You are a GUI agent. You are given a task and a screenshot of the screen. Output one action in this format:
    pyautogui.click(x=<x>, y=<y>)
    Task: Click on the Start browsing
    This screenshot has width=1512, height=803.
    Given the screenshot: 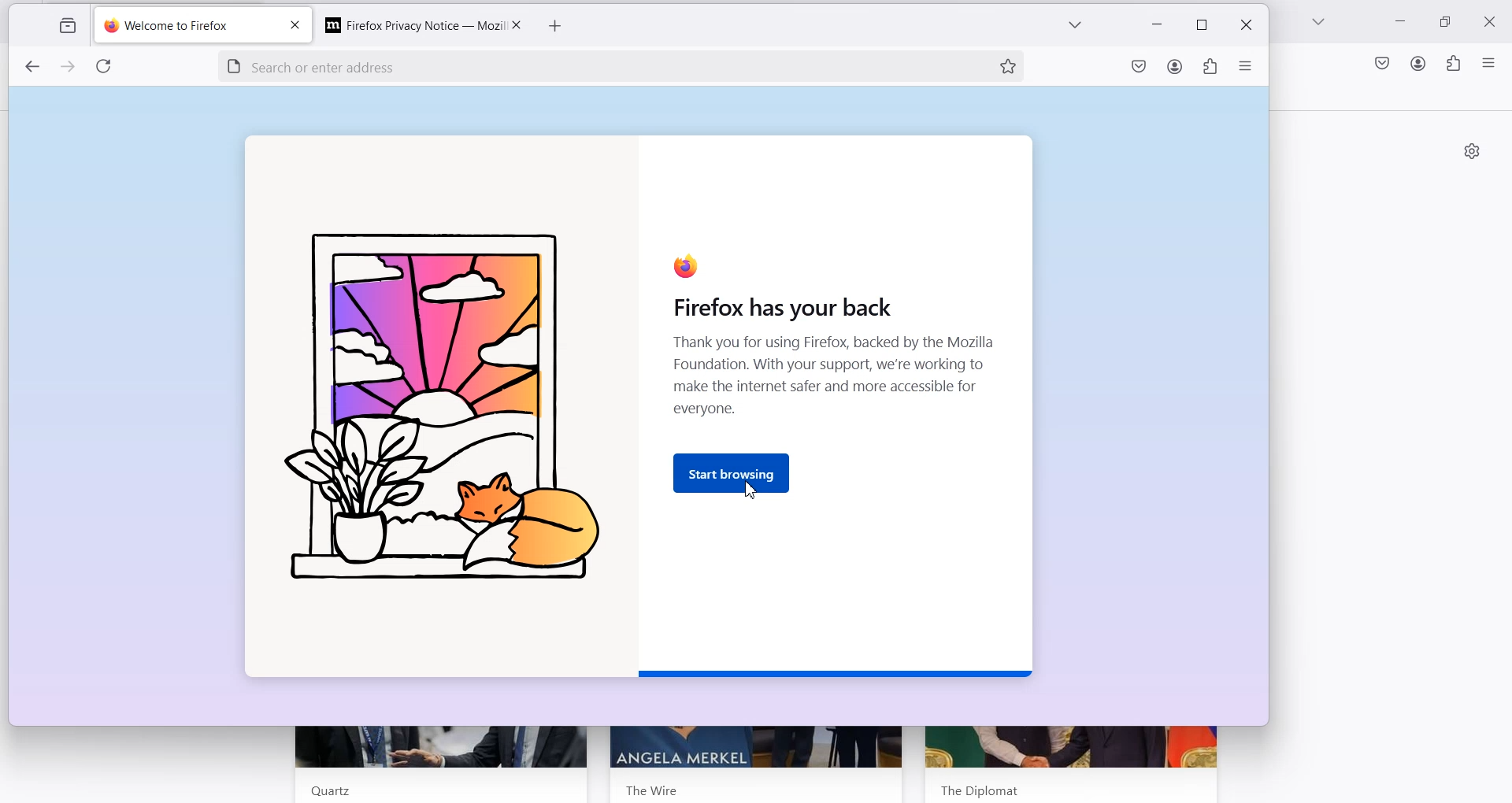 What is the action you would take?
    pyautogui.click(x=735, y=469)
    